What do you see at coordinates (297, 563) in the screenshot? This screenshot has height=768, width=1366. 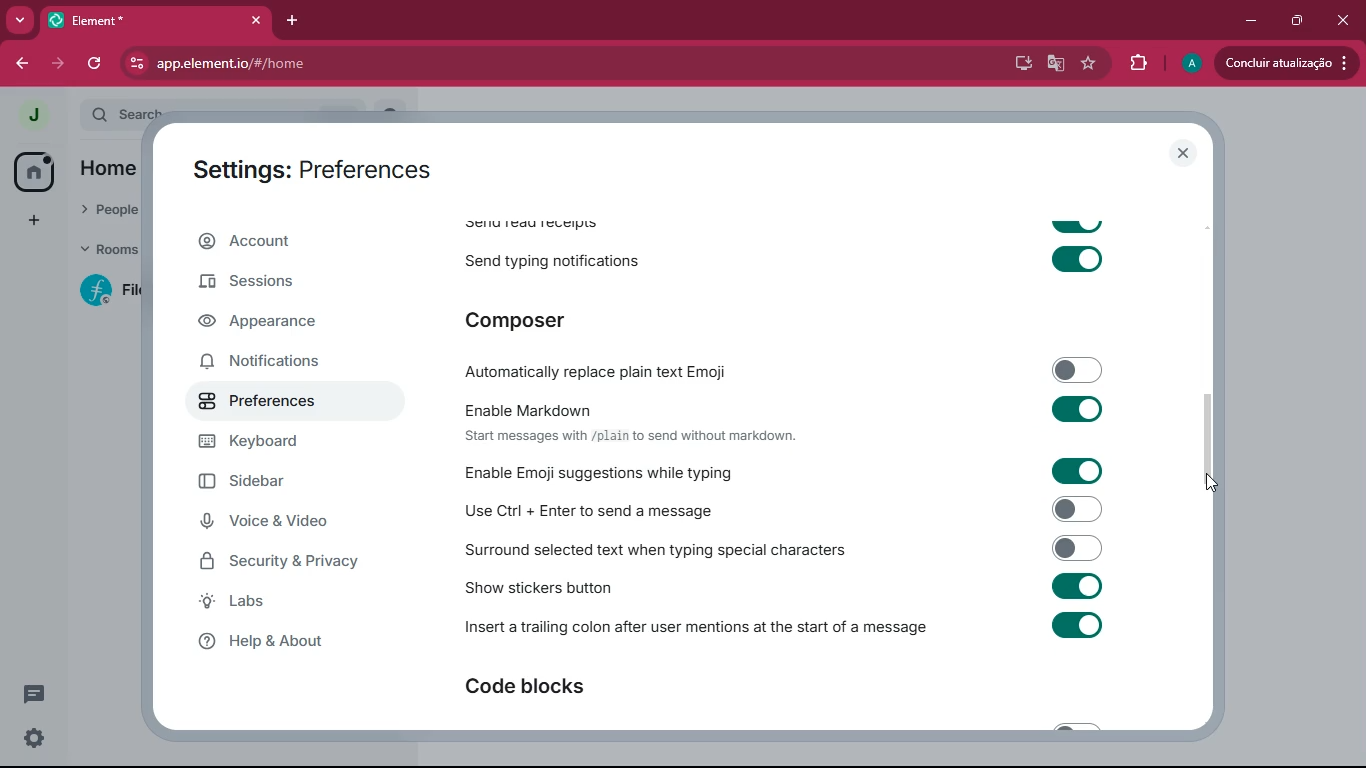 I see `security` at bounding box center [297, 563].